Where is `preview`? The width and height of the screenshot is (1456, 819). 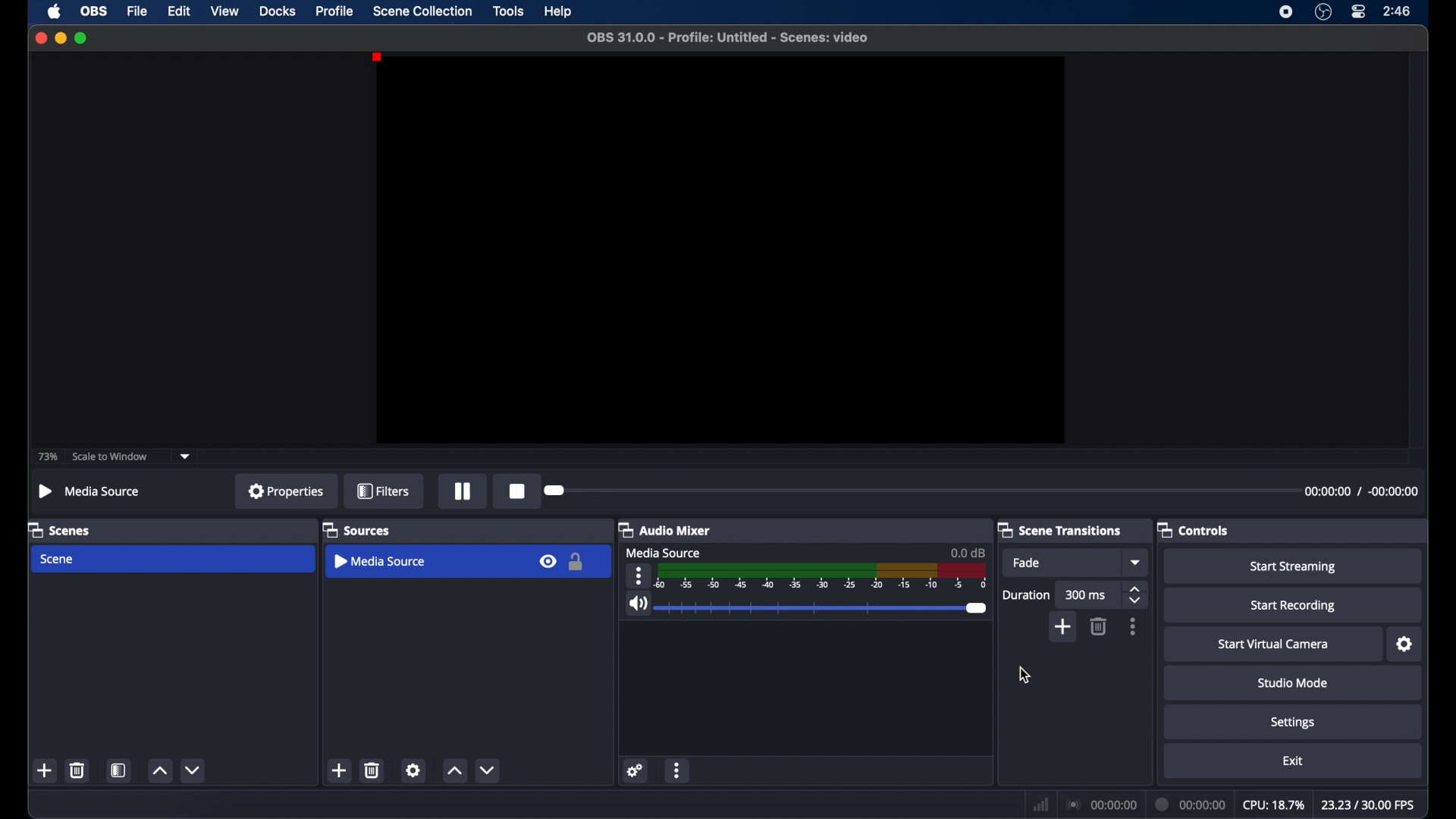
preview is located at coordinates (719, 250).